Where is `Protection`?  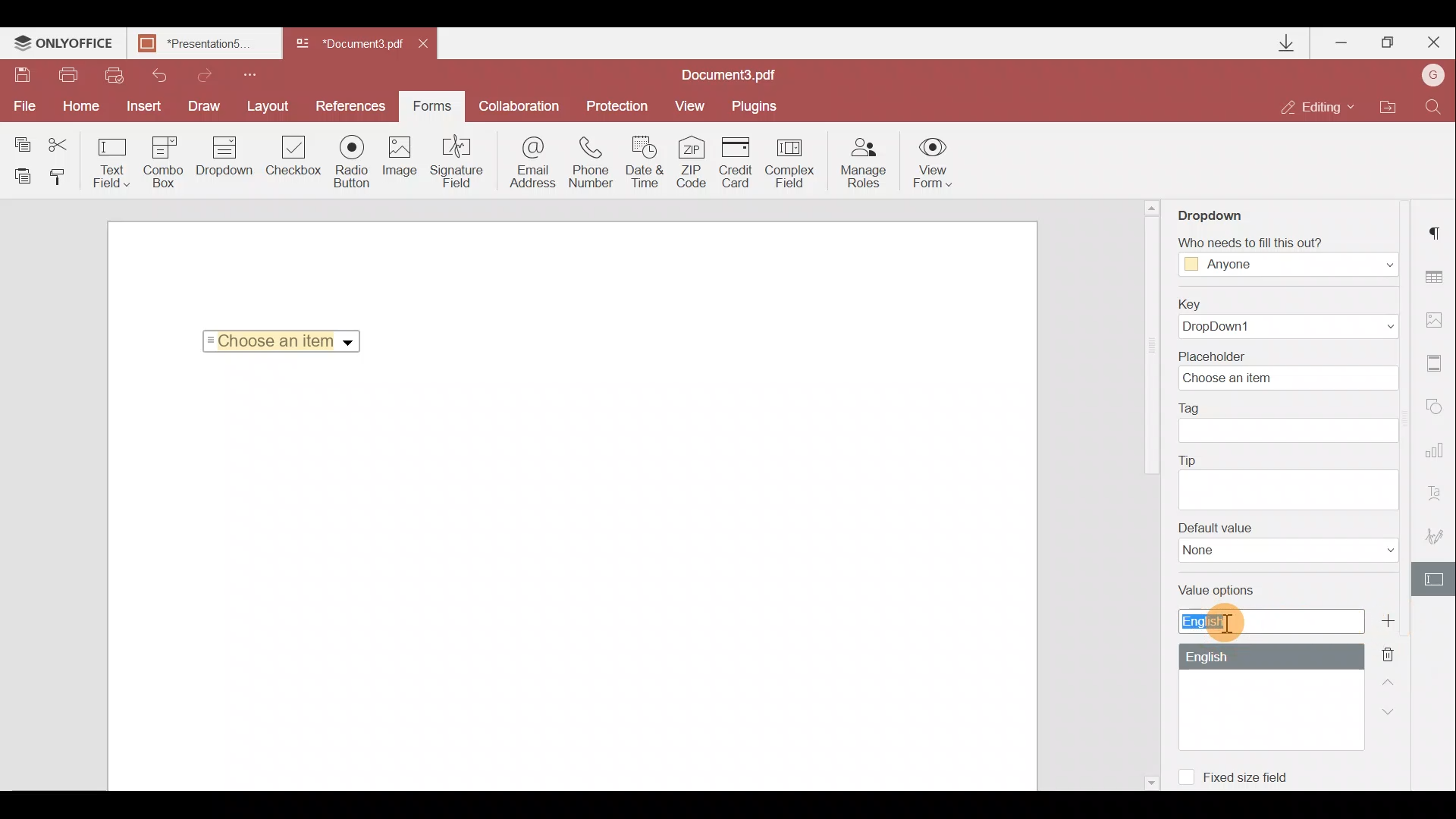 Protection is located at coordinates (615, 105).